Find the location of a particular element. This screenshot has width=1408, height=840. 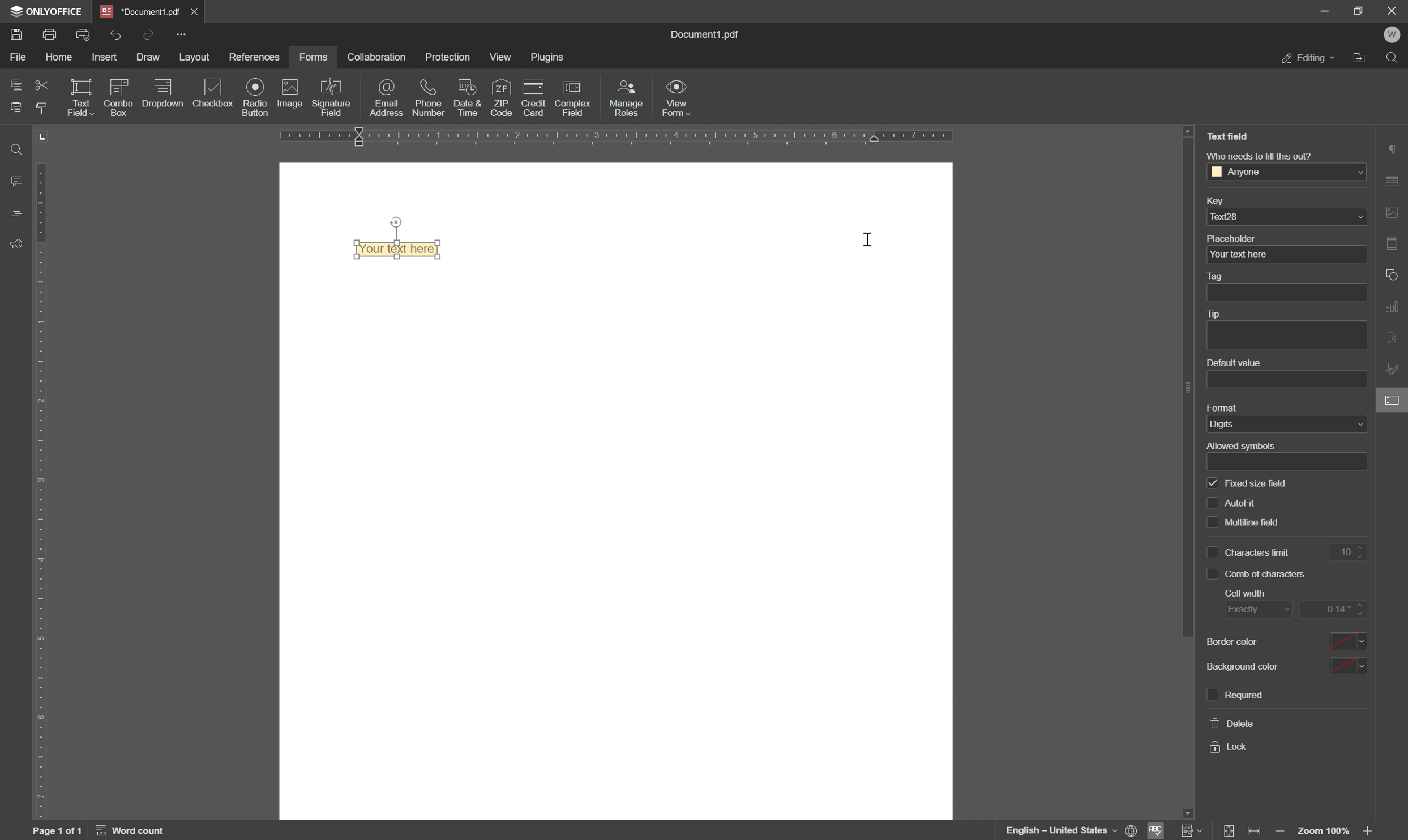

undo is located at coordinates (117, 34).